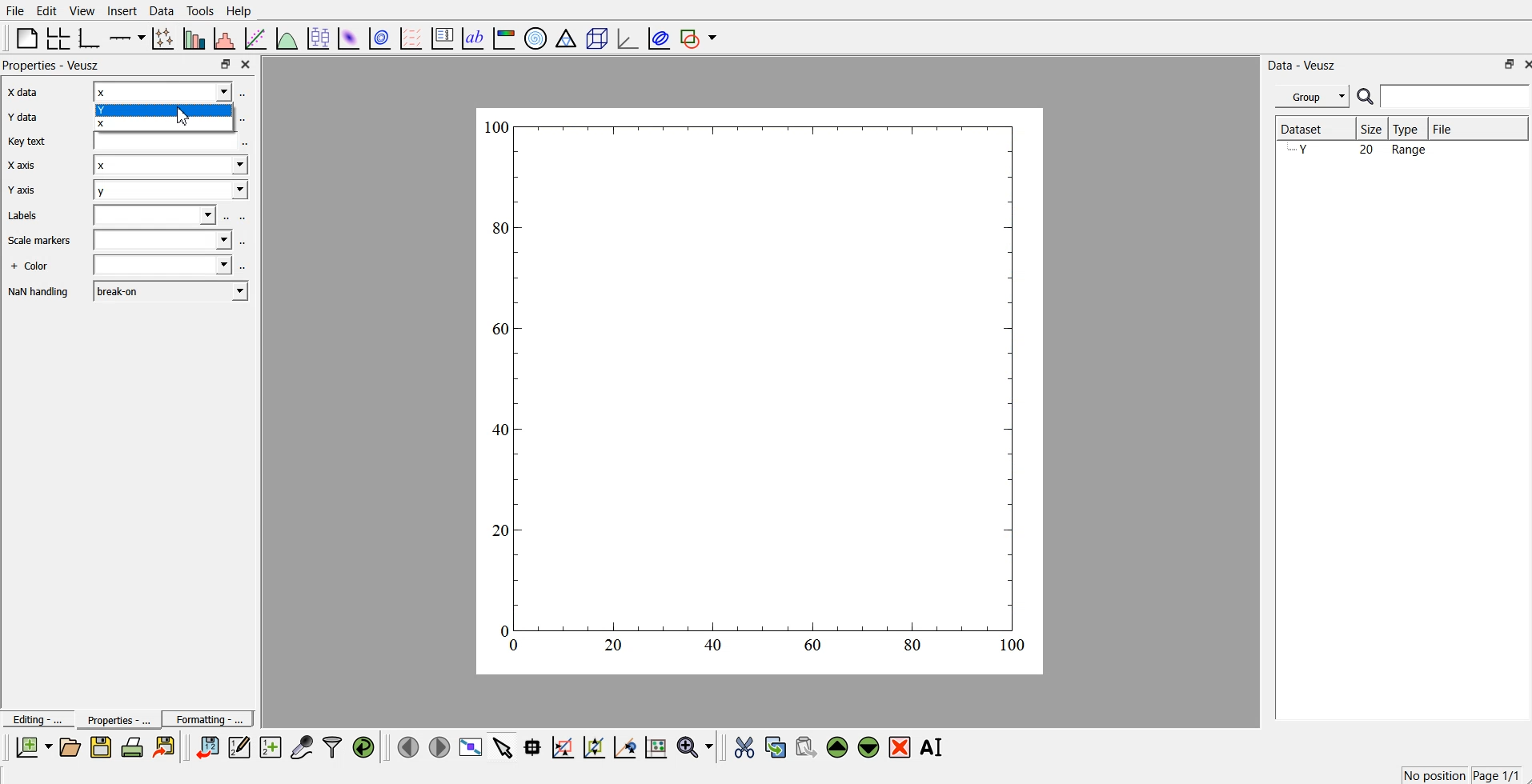 The image size is (1532, 784). Describe the element at coordinates (243, 10) in the screenshot. I see `Help` at that location.